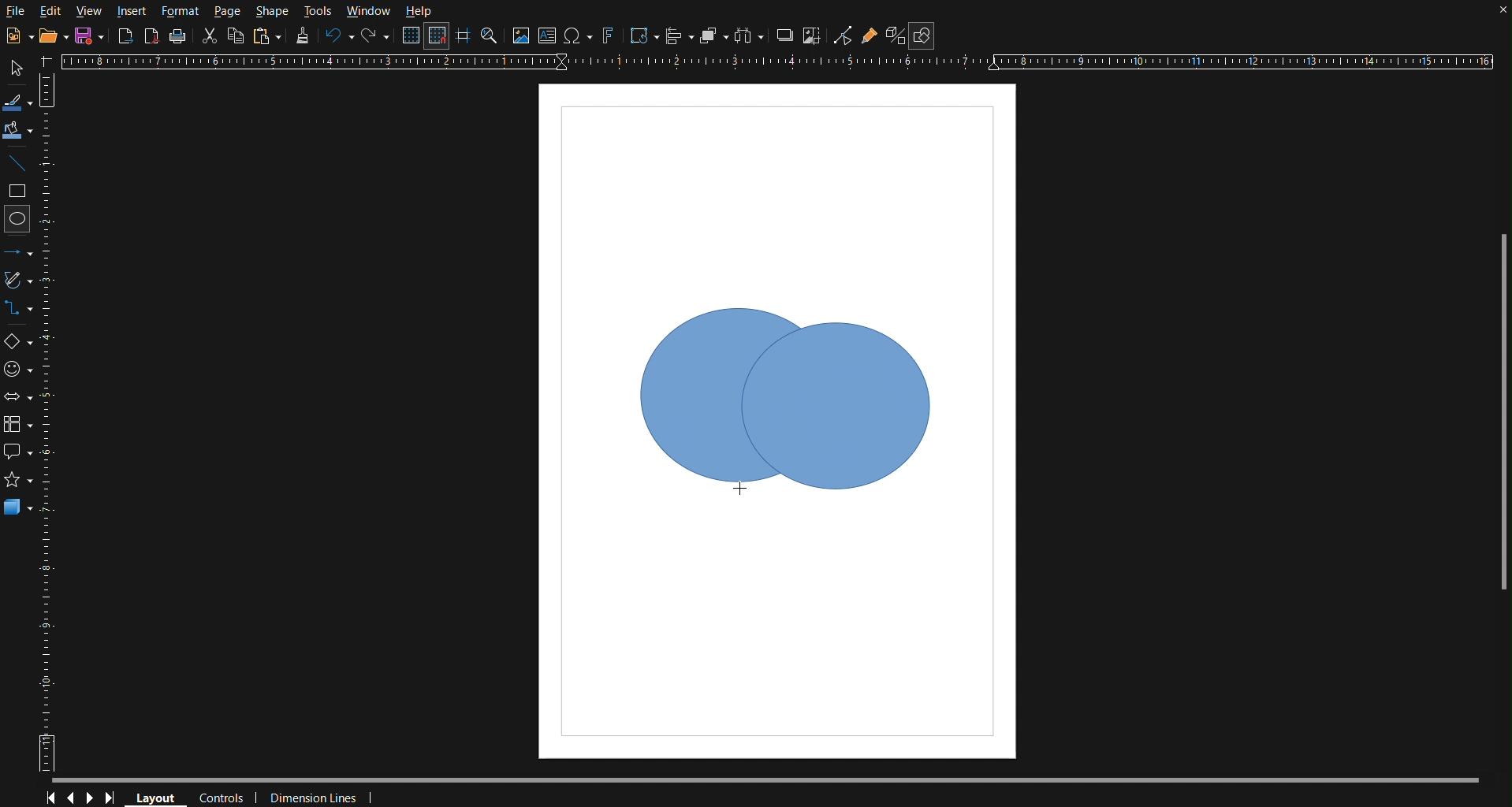 Image resolution: width=1512 pixels, height=807 pixels. Describe the element at coordinates (1497, 13) in the screenshot. I see `close` at that location.